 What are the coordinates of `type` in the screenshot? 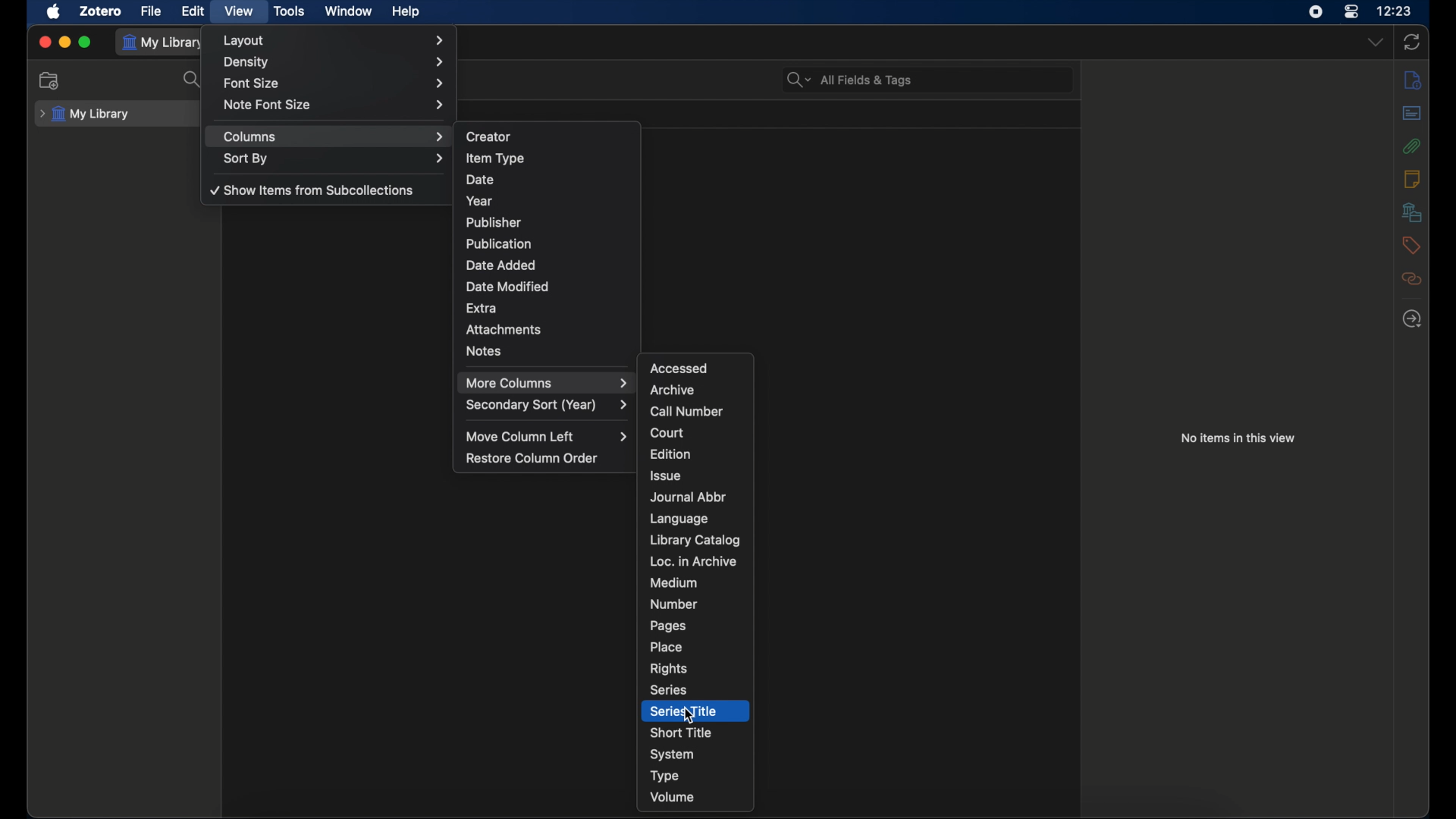 It's located at (665, 777).